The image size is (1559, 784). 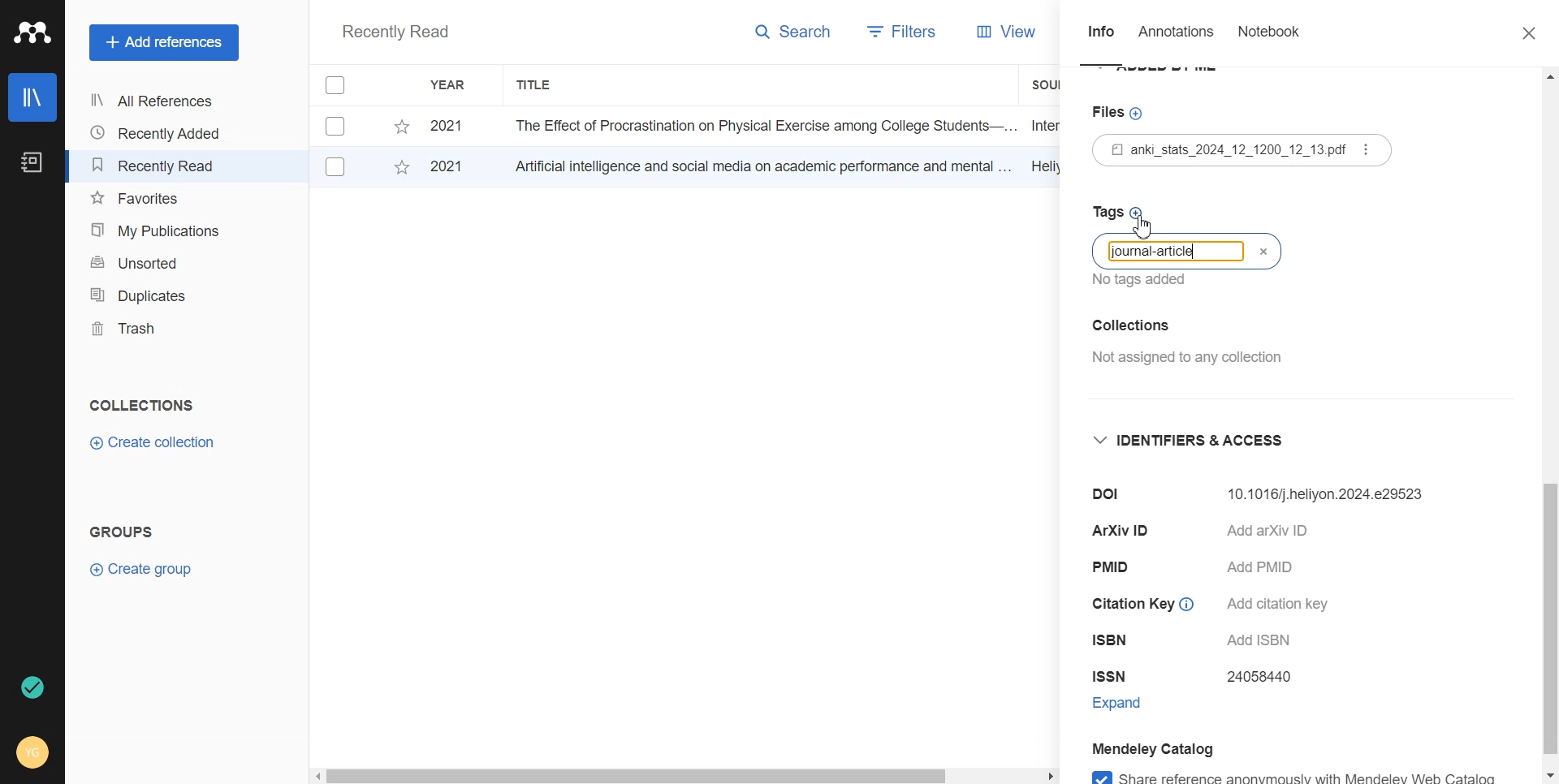 What do you see at coordinates (451, 85) in the screenshot?
I see `Year` at bounding box center [451, 85].